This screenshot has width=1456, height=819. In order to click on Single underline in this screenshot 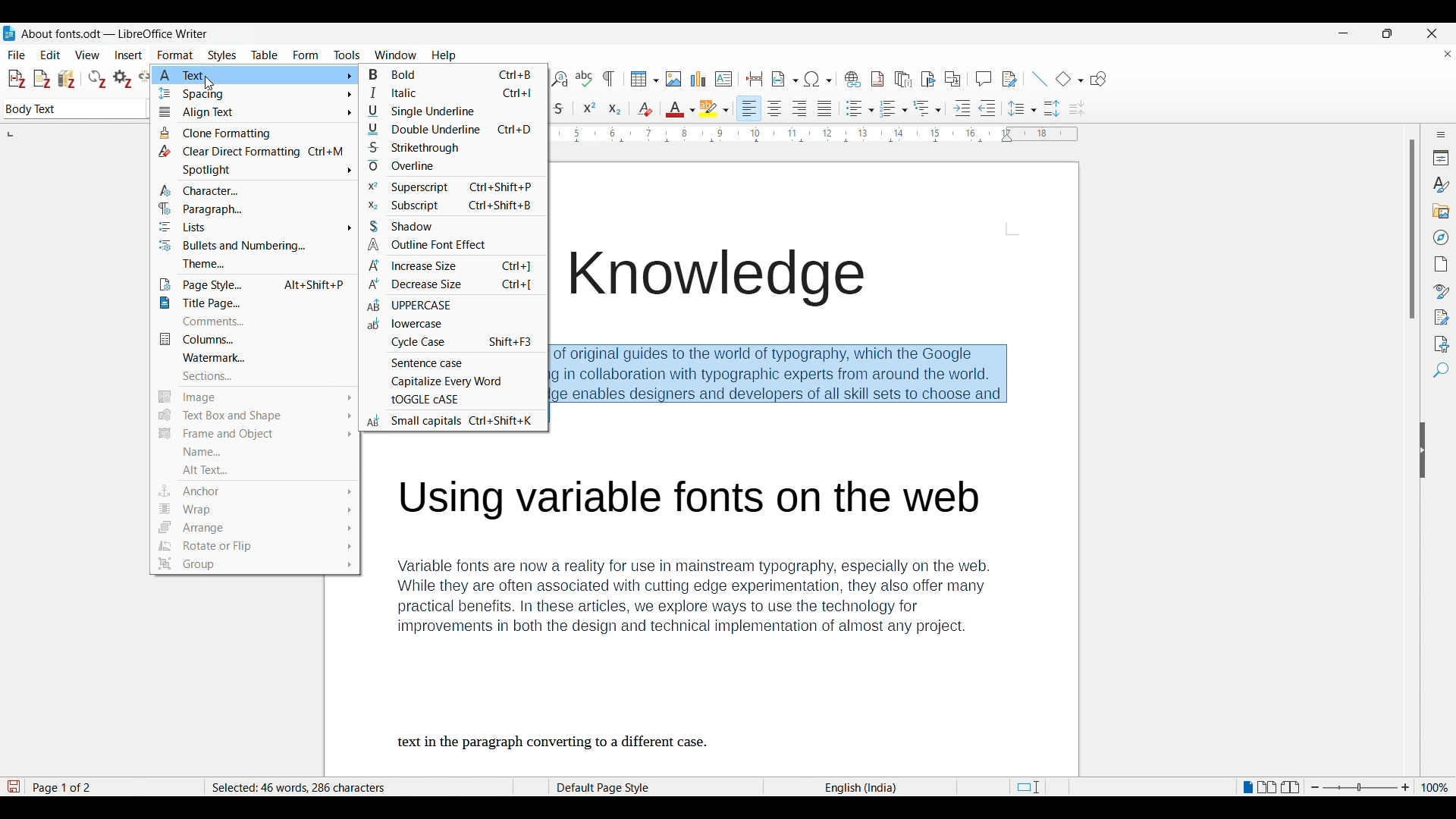, I will do `click(450, 111)`.